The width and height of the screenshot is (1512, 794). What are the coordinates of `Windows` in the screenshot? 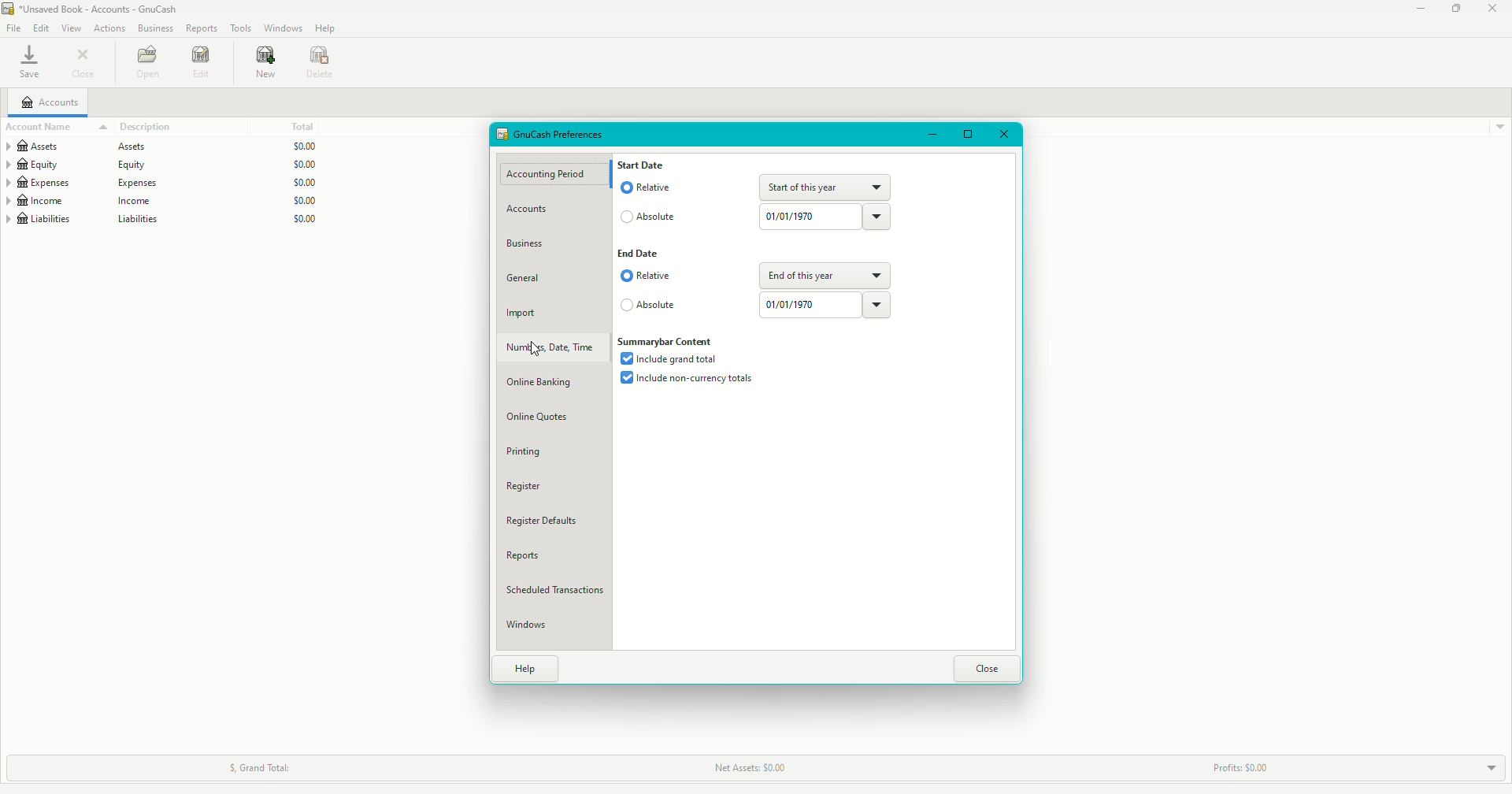 It's located at (282, 28).